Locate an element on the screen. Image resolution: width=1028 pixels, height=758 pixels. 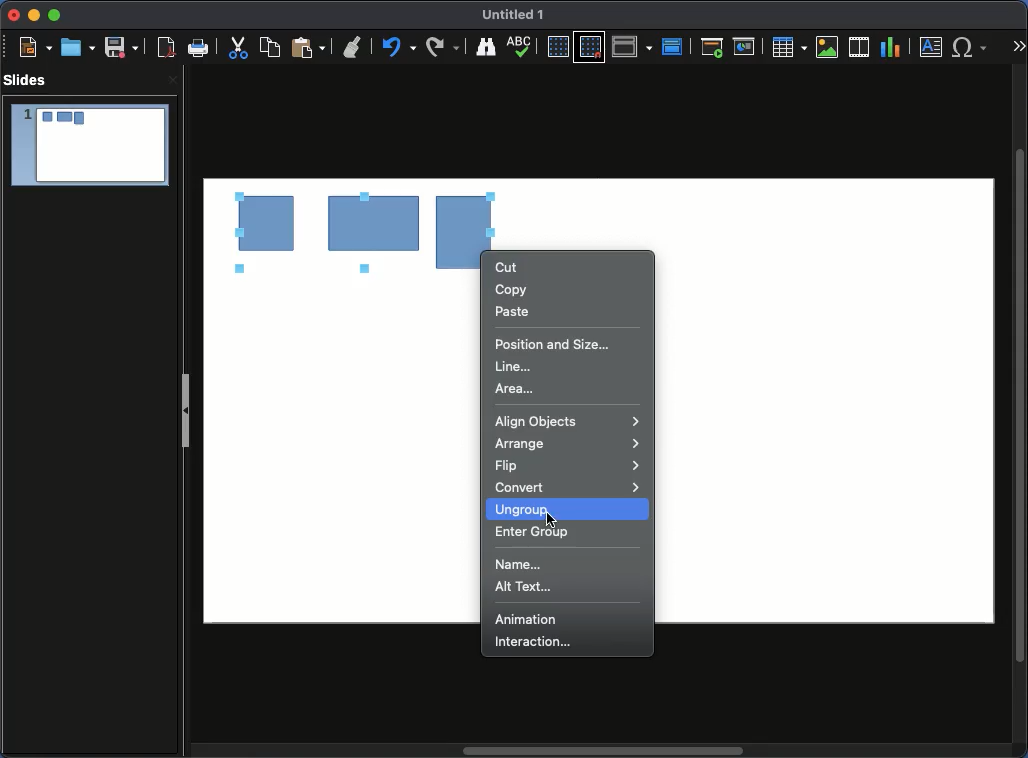
Display views is located at coordinates (632, 46).